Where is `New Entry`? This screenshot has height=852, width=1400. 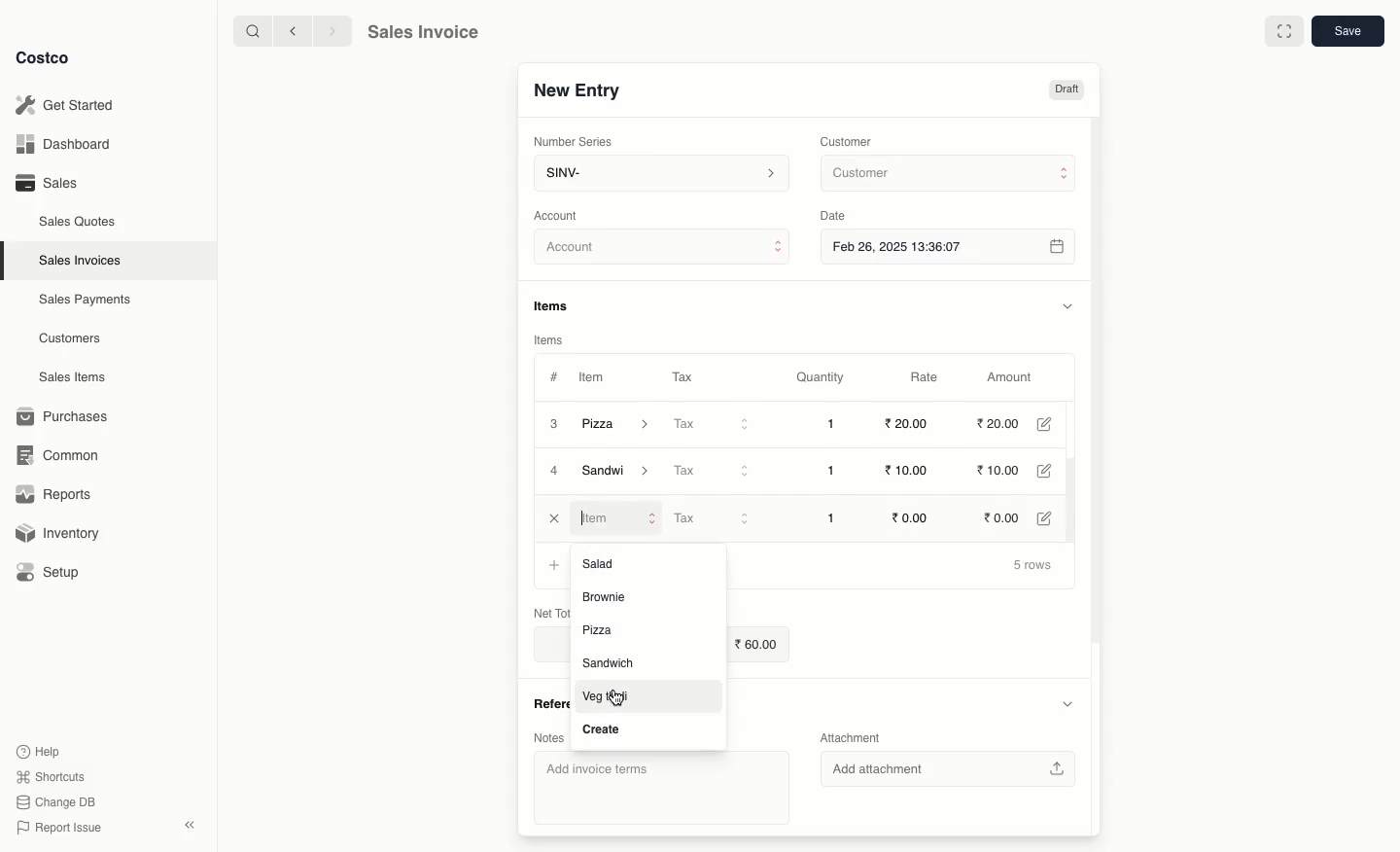
New Entry is located at coordinates (576, 89).